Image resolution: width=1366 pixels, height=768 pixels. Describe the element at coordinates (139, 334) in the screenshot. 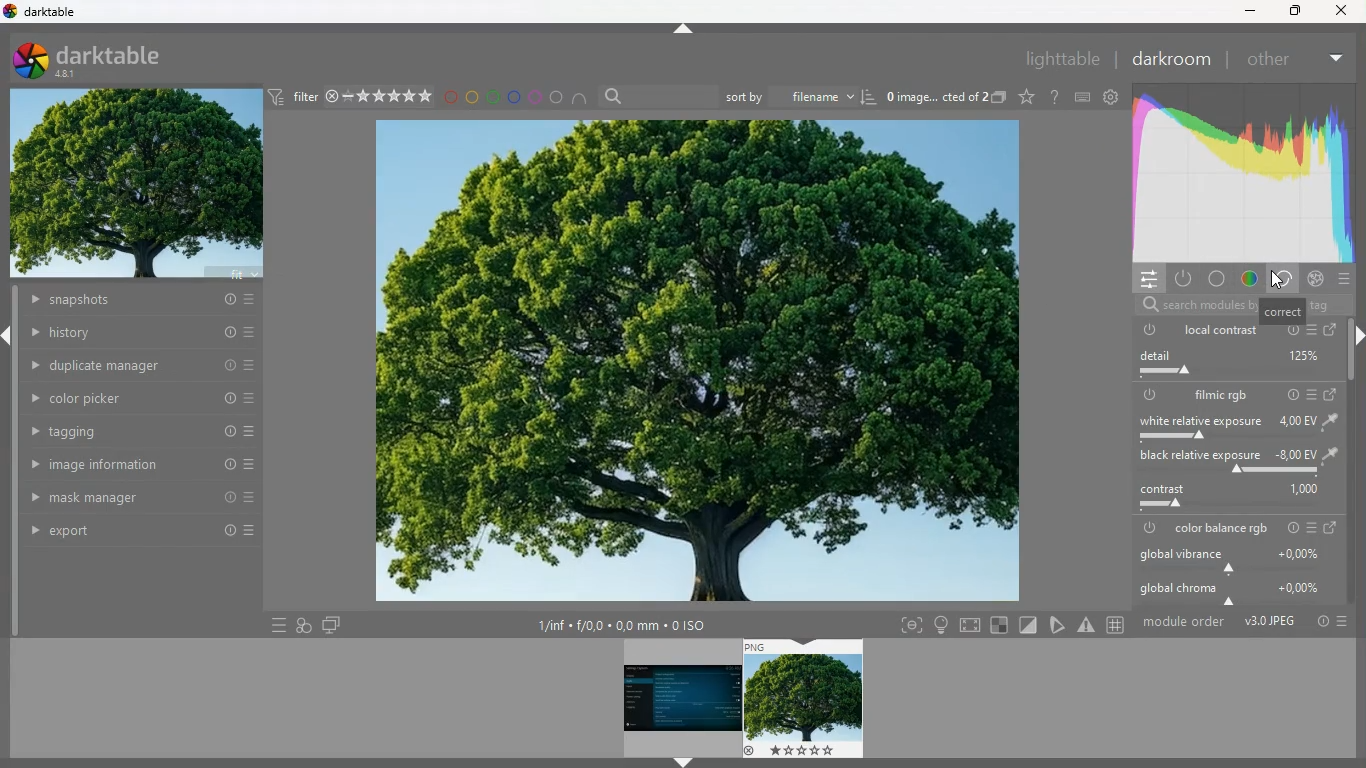

I see `history` at that location.